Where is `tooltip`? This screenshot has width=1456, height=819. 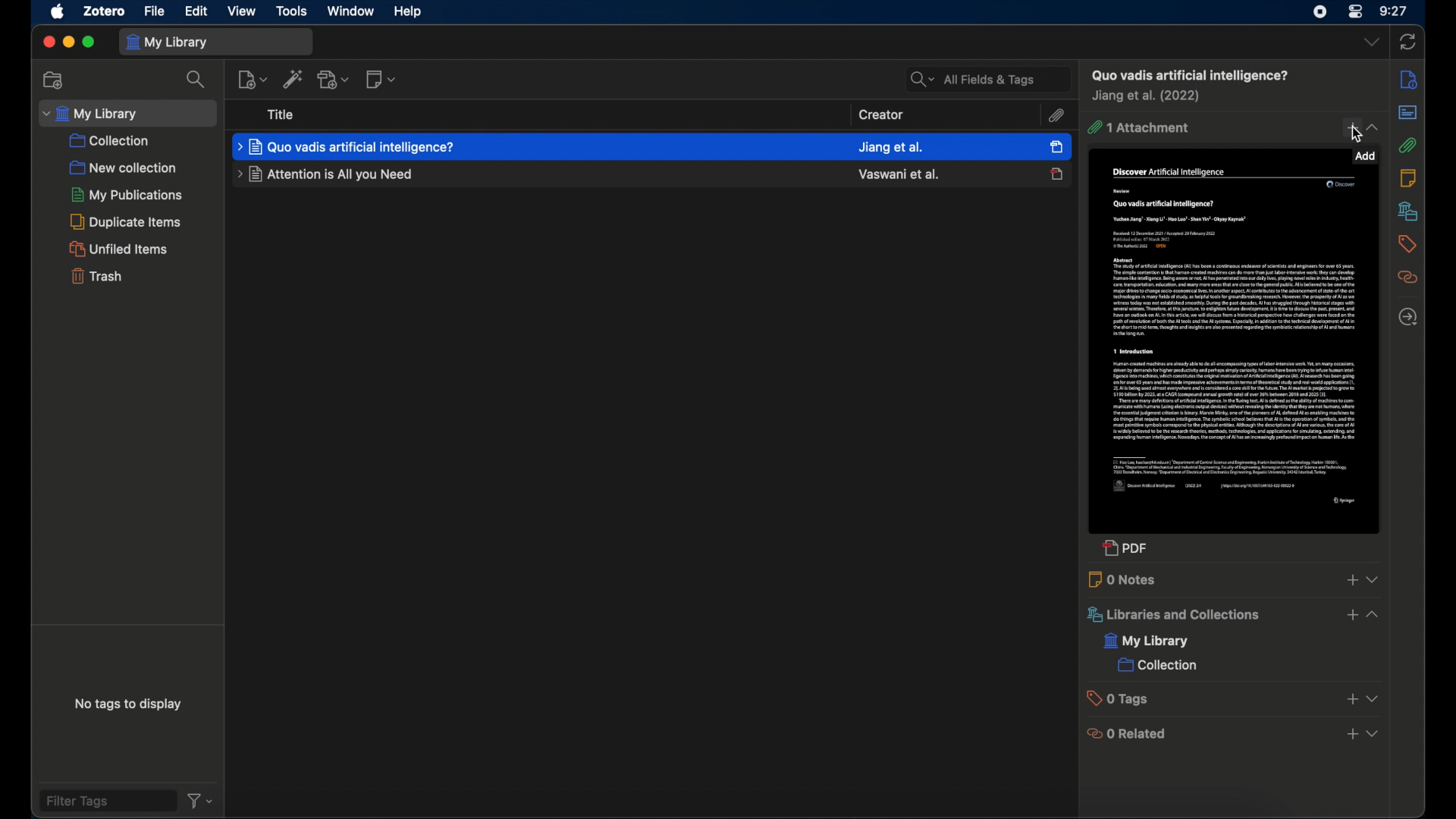
tooltip is located at coordinates (1366, 156).